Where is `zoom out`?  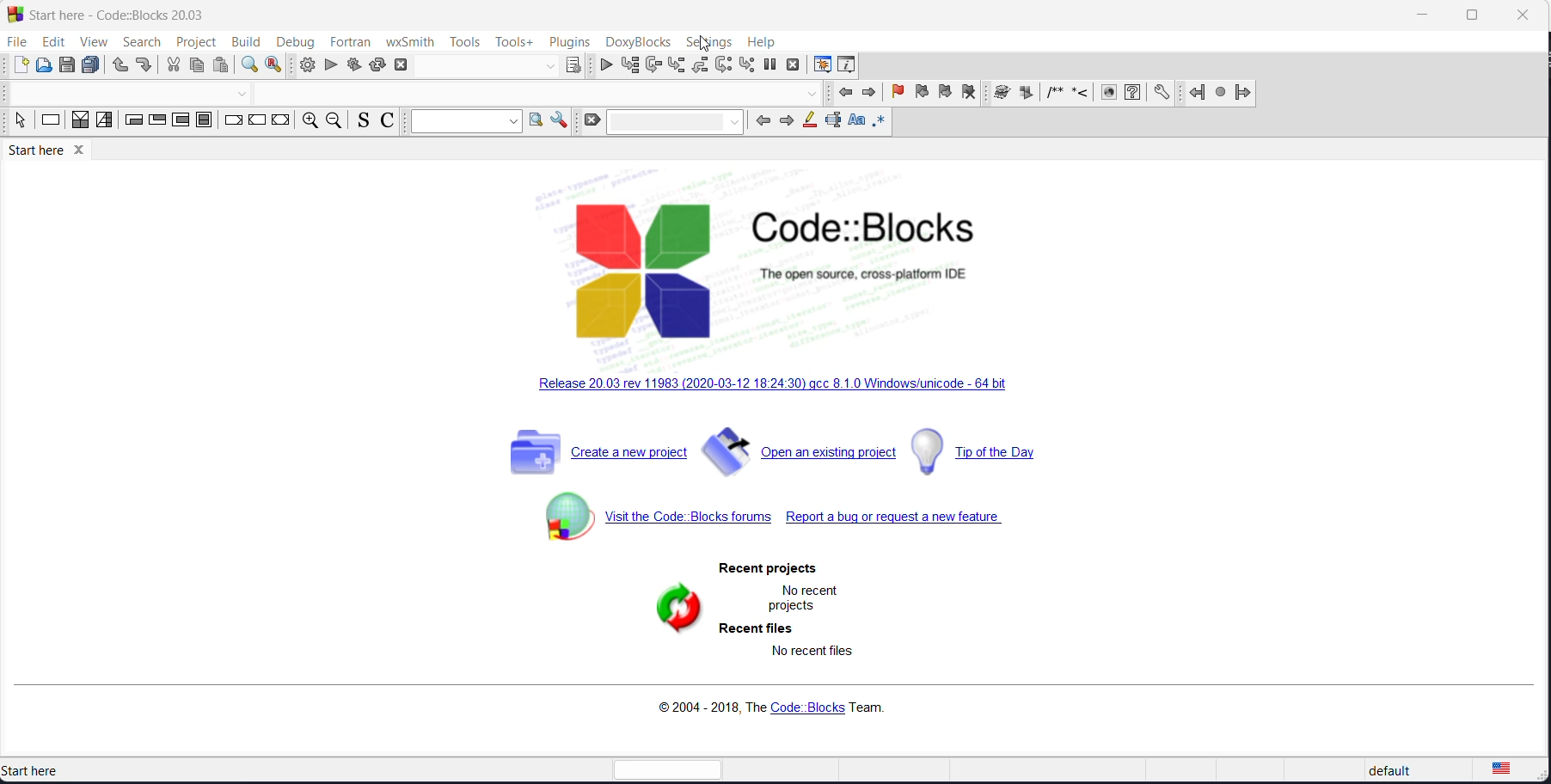 zoom out is located at coordinates (332, 121).